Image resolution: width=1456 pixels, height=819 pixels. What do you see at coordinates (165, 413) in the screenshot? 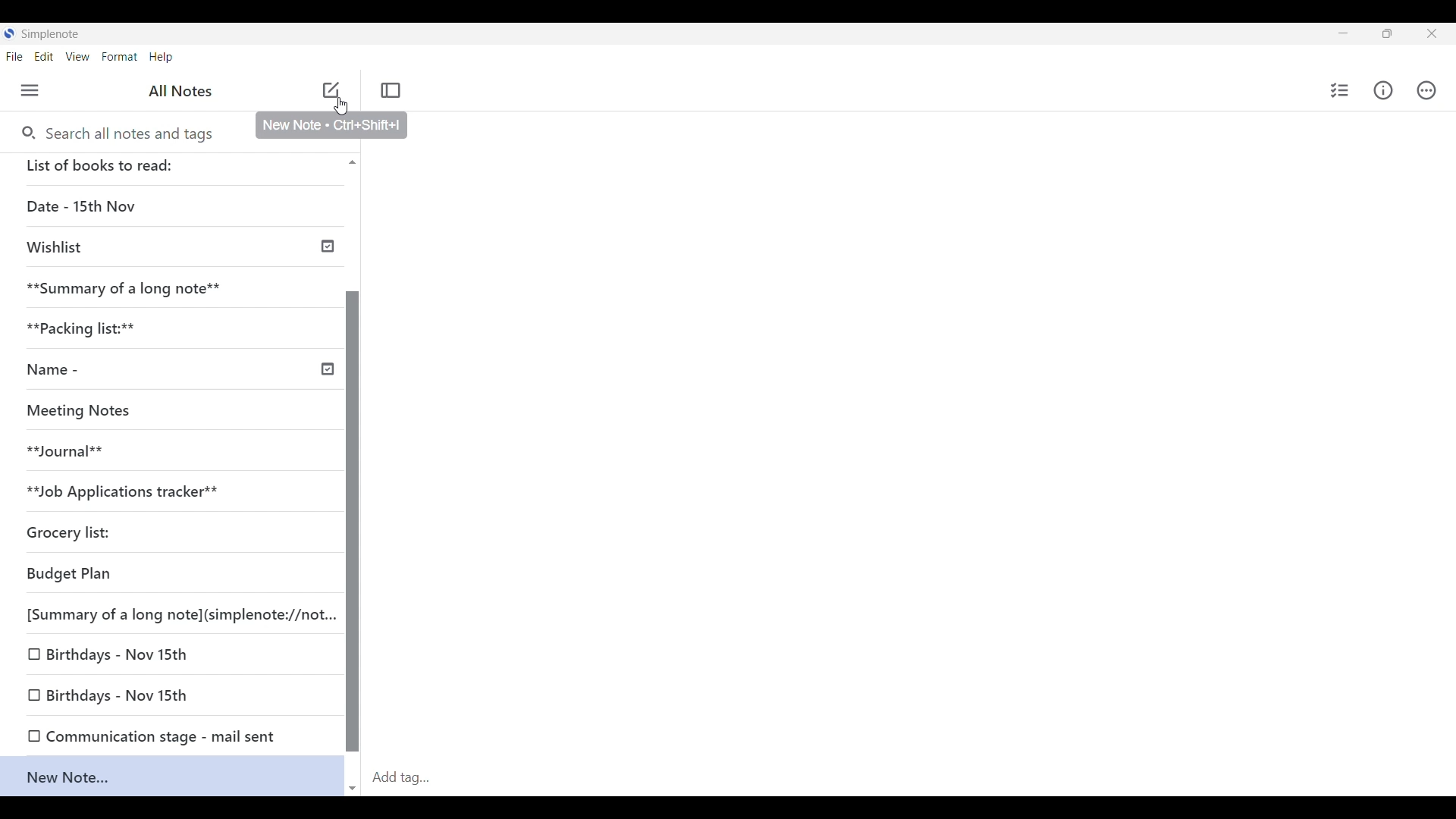
I see `Meeting notes` at bounding box center [165, 413].